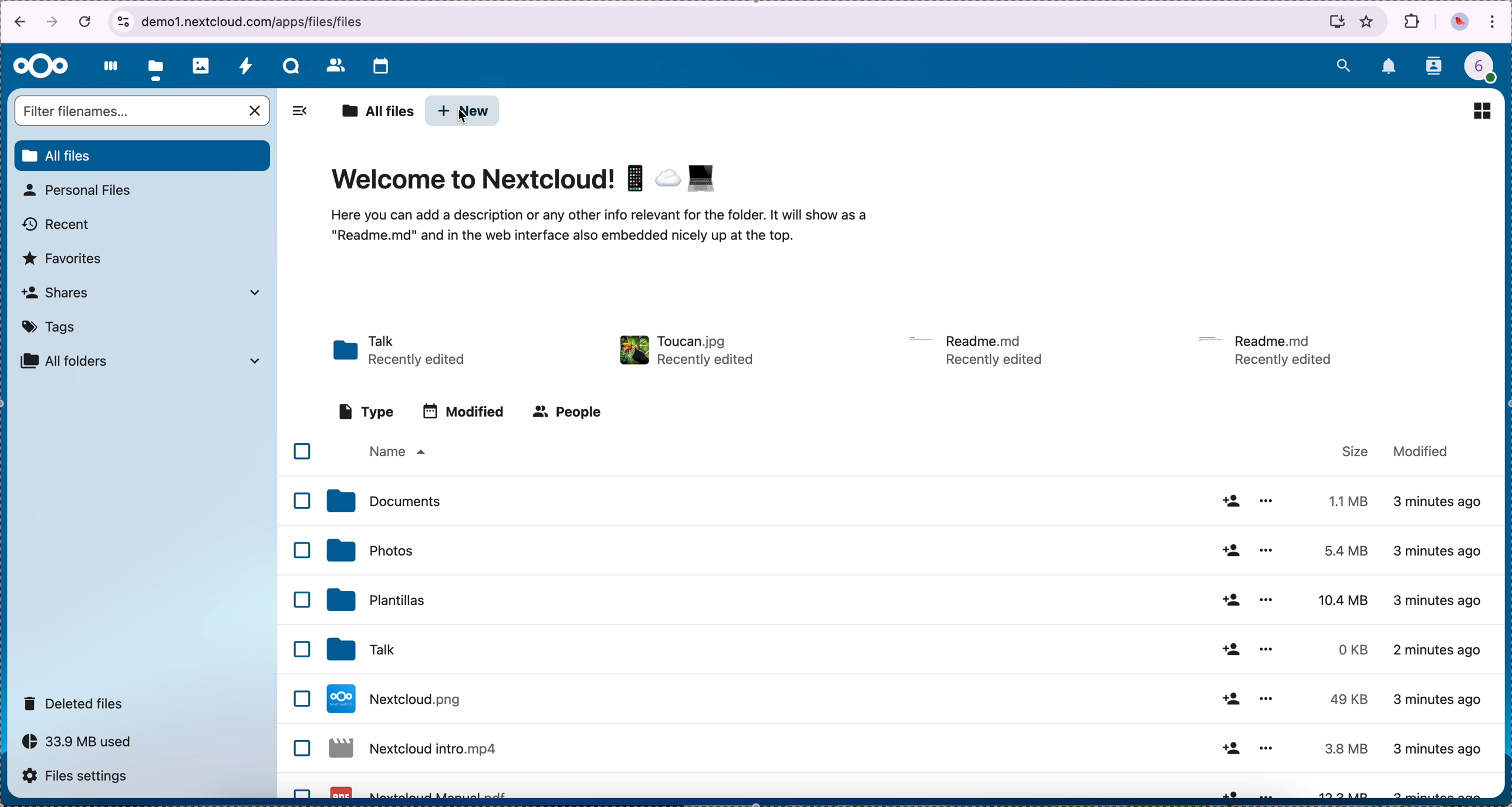 Image resolution: width=1512 pixels, height=807 pixels. I want to click on talk folder, so click(401, 352).